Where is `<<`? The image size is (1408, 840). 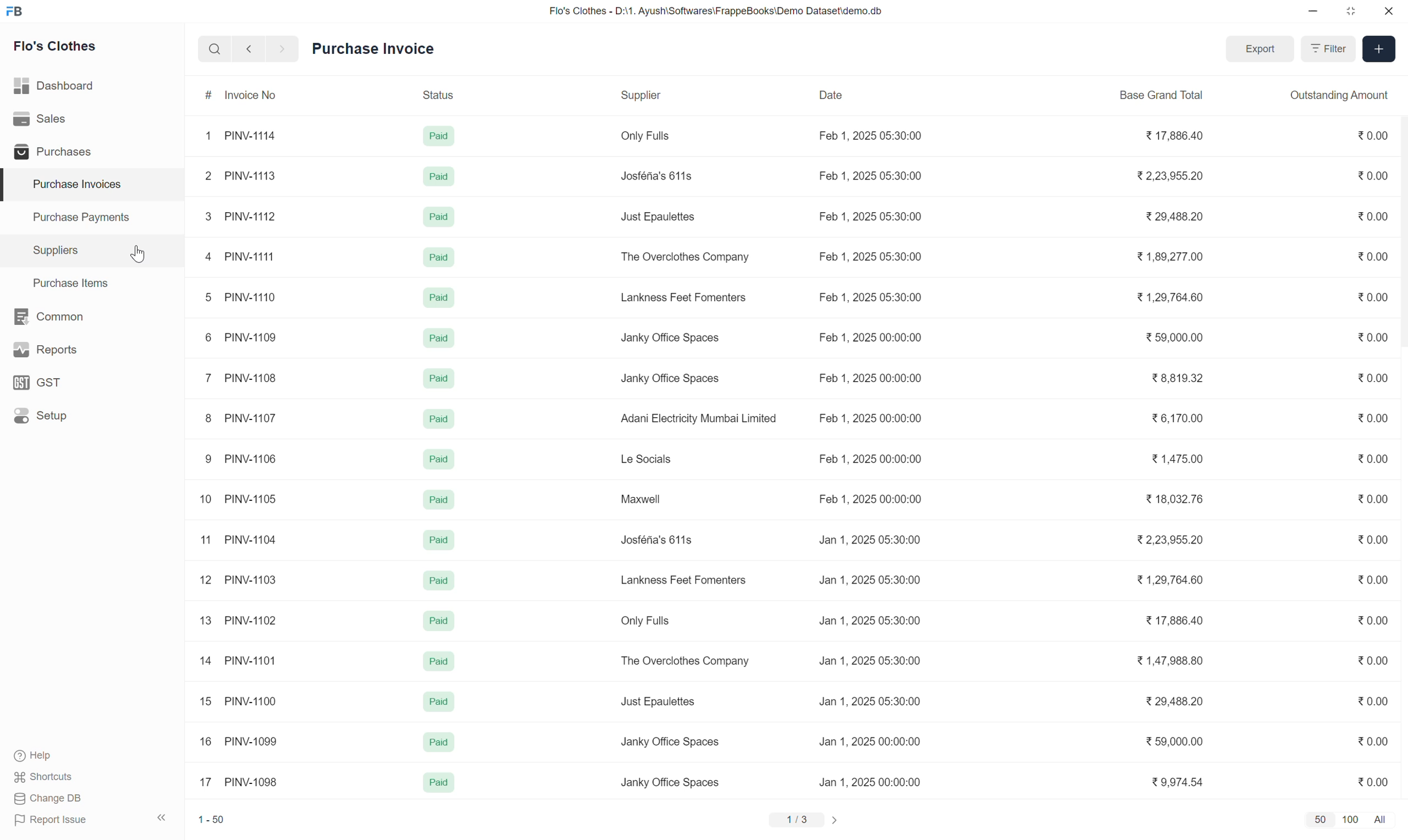 << is located at coordinates (161, 817).